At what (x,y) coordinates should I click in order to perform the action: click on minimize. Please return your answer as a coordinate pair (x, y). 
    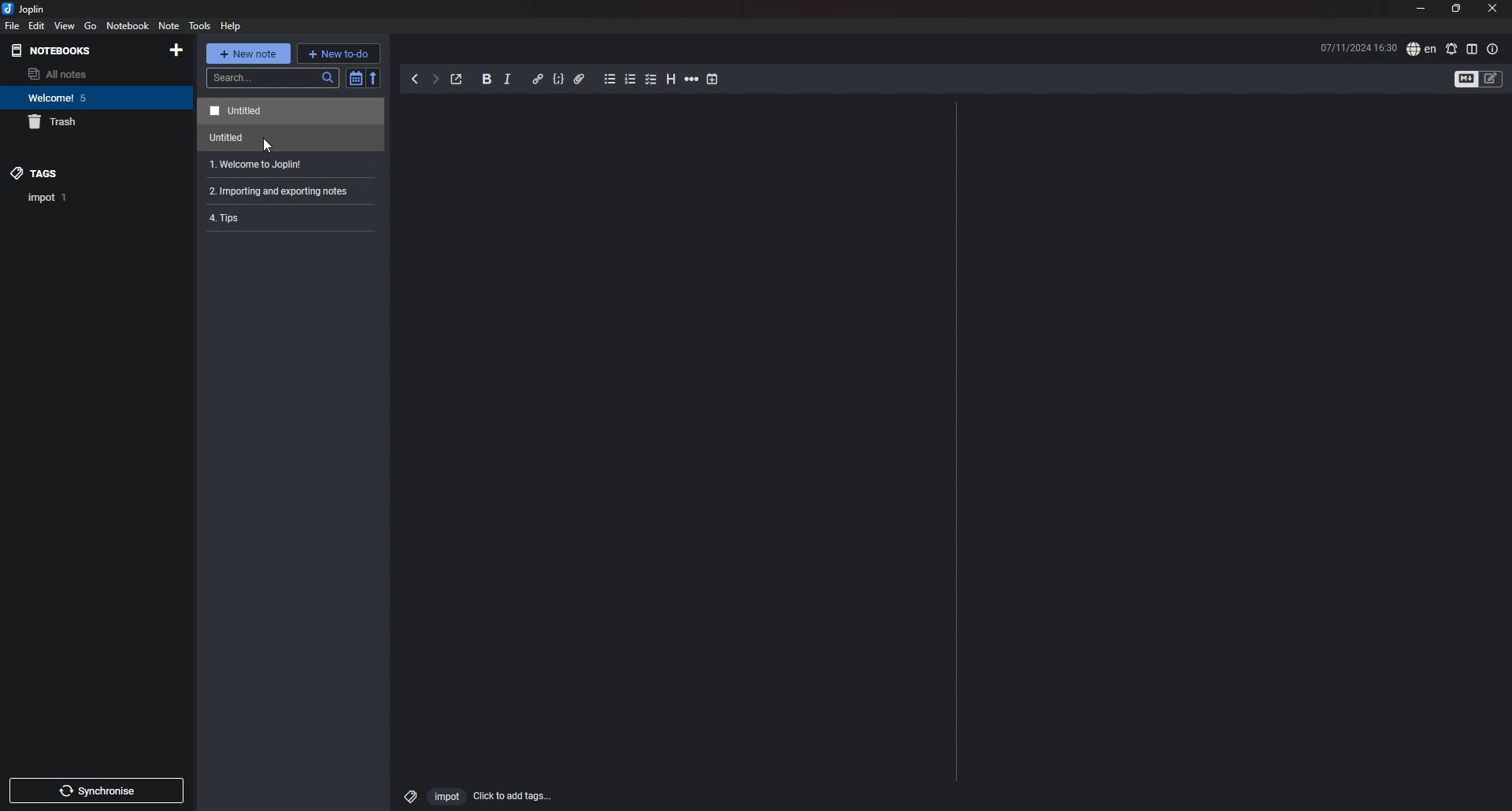
    Looking at the image, I should click on (1421, 10).